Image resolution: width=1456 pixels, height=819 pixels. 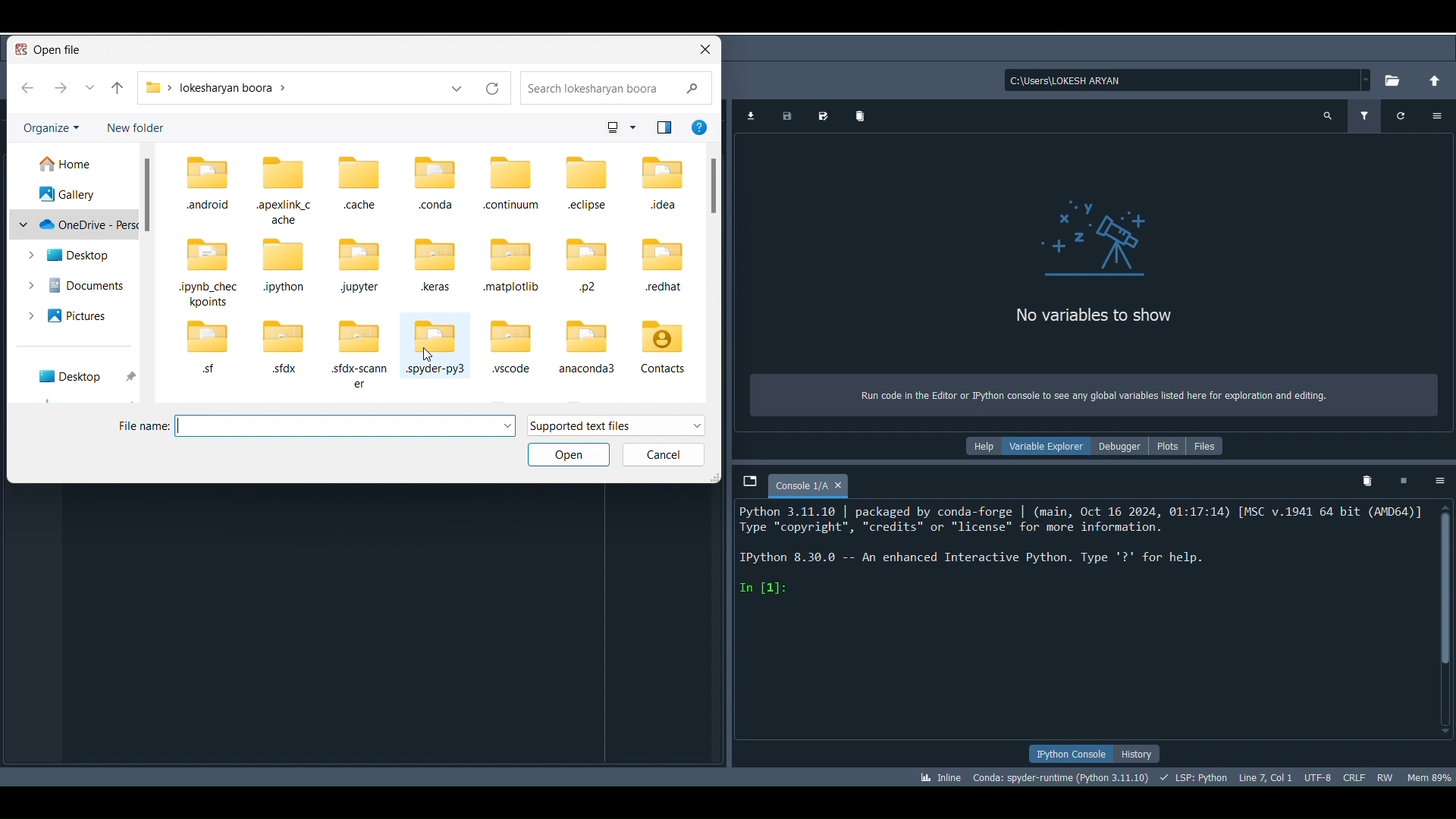 I want to click on go back, so click(x=27, y=87).